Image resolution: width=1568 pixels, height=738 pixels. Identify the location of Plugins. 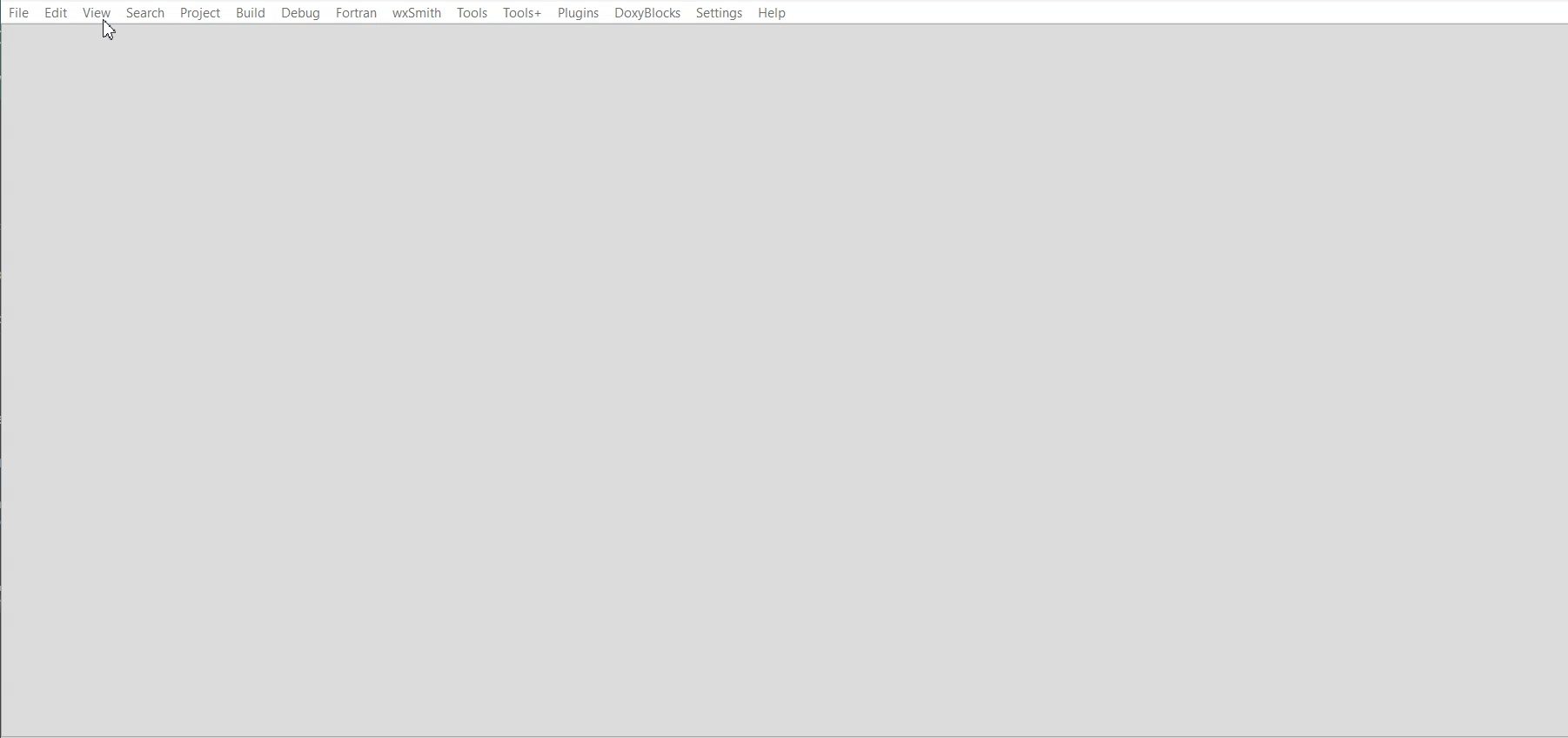
(578, 13).